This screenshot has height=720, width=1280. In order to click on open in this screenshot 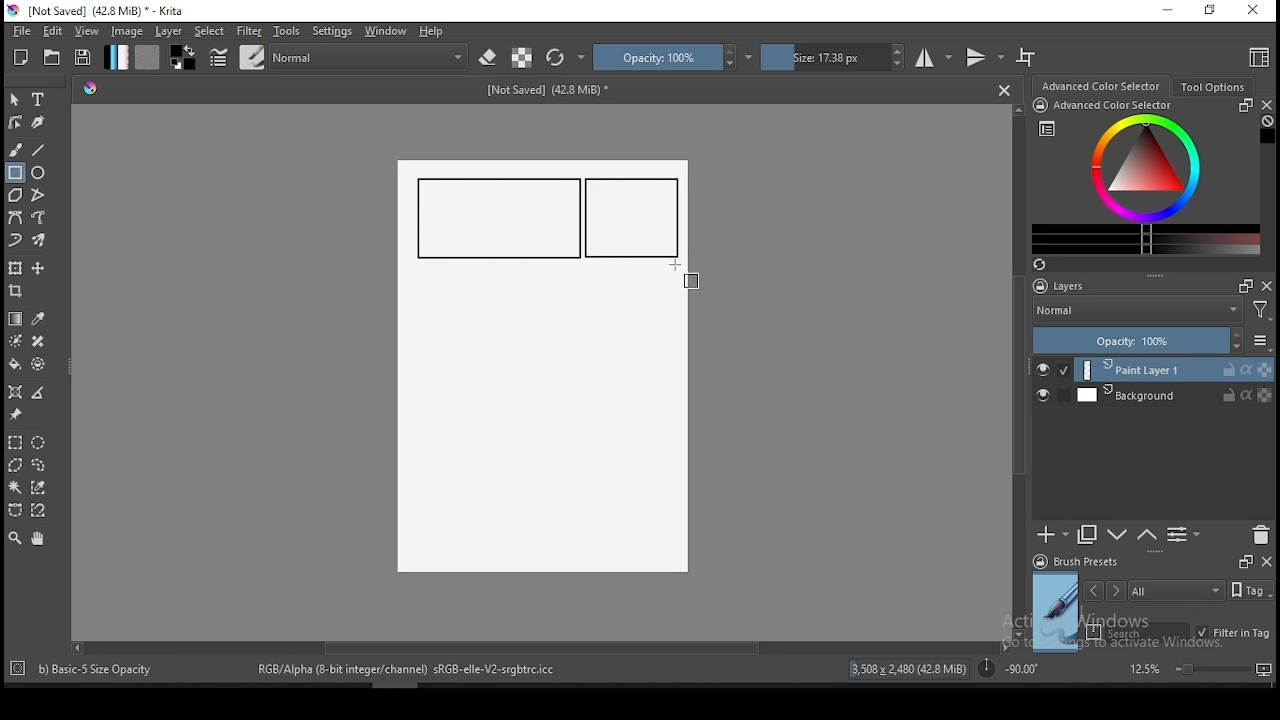, I will do `click(52, 57)`.